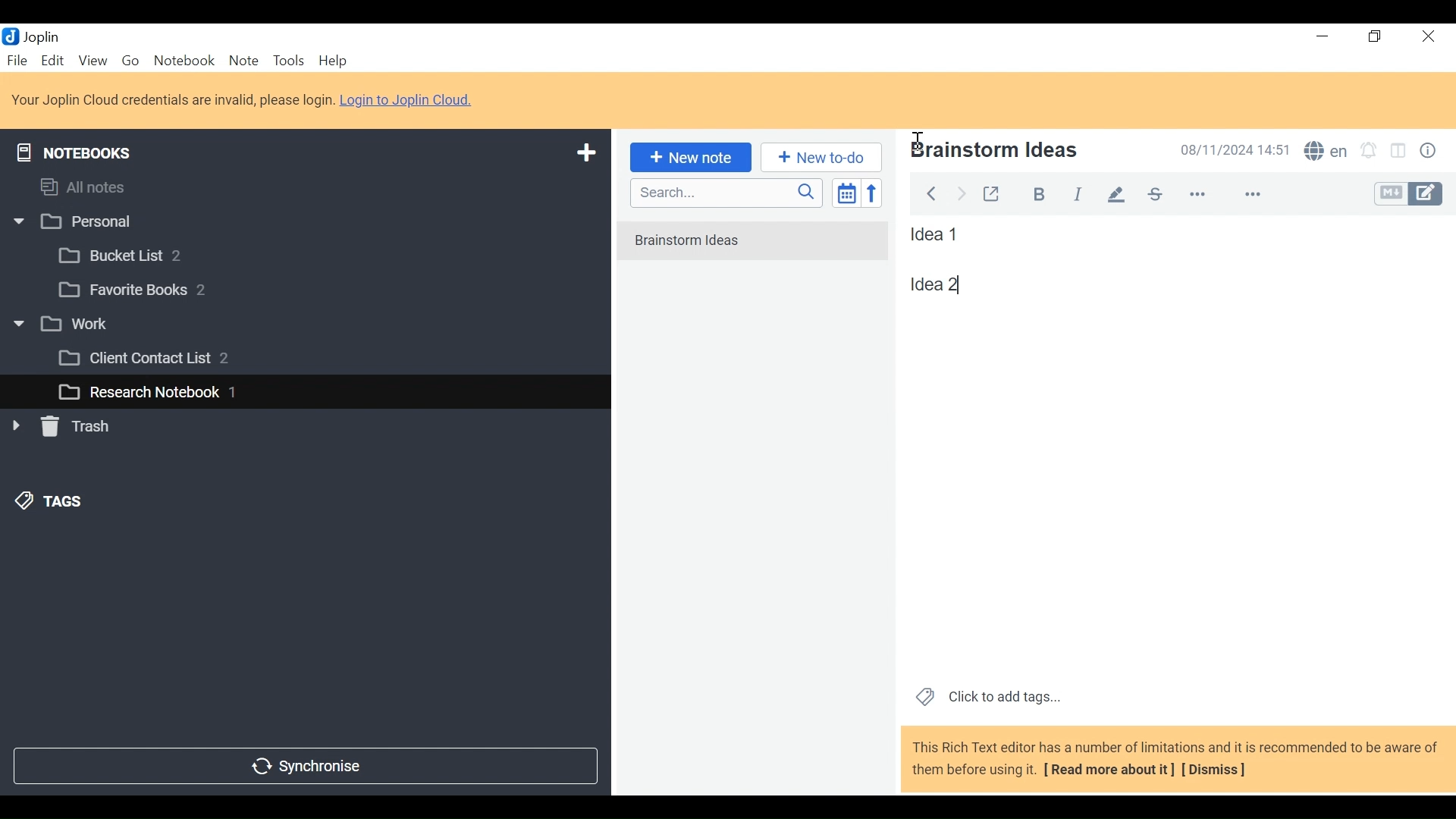 The height and width of the screenshot is (819, 1456). What do you see at coordinates (93, 60) in the screenshot?
I see `View` at bounding box center [93, 60].